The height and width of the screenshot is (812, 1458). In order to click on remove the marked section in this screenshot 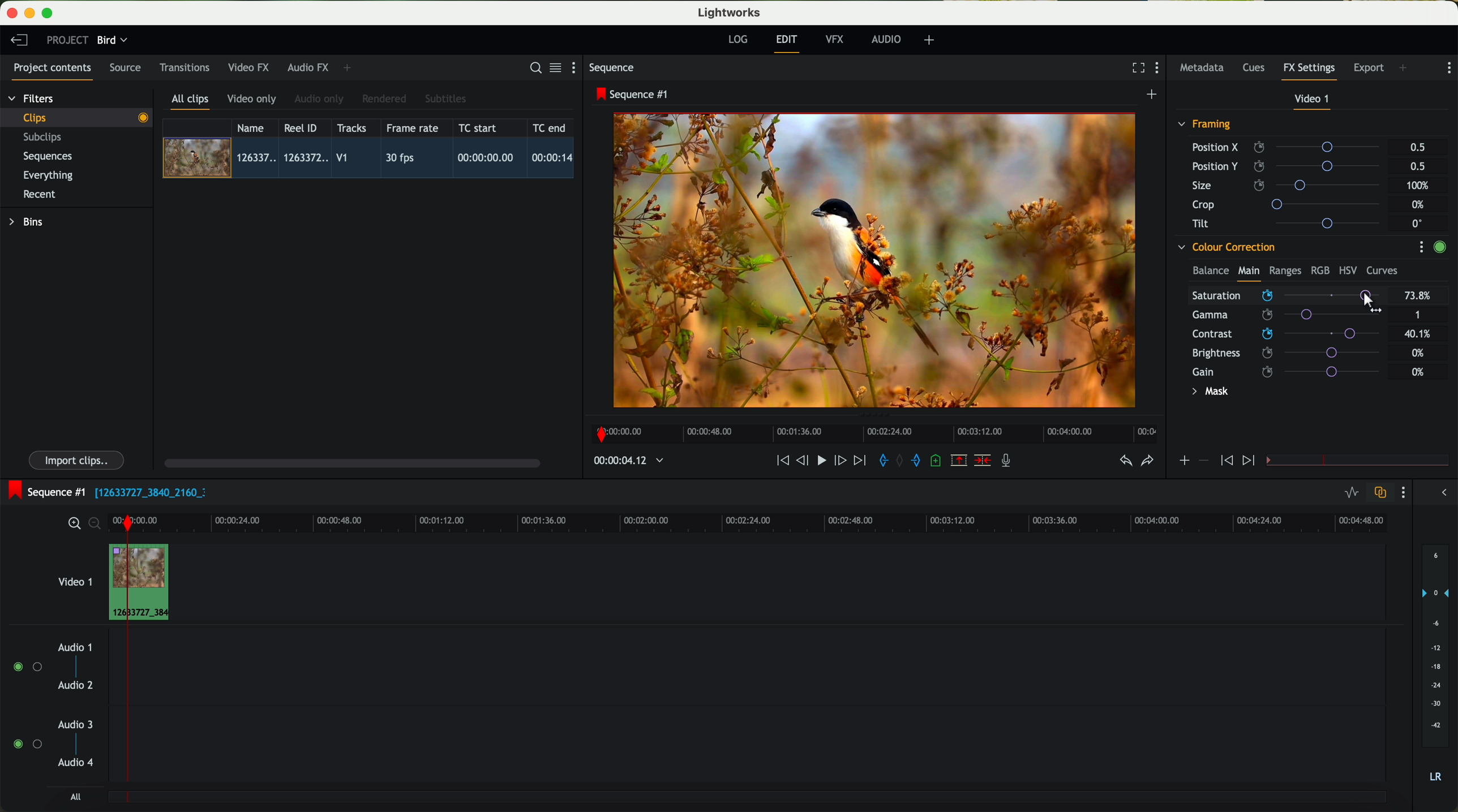, I will do `click(960, 461)`.